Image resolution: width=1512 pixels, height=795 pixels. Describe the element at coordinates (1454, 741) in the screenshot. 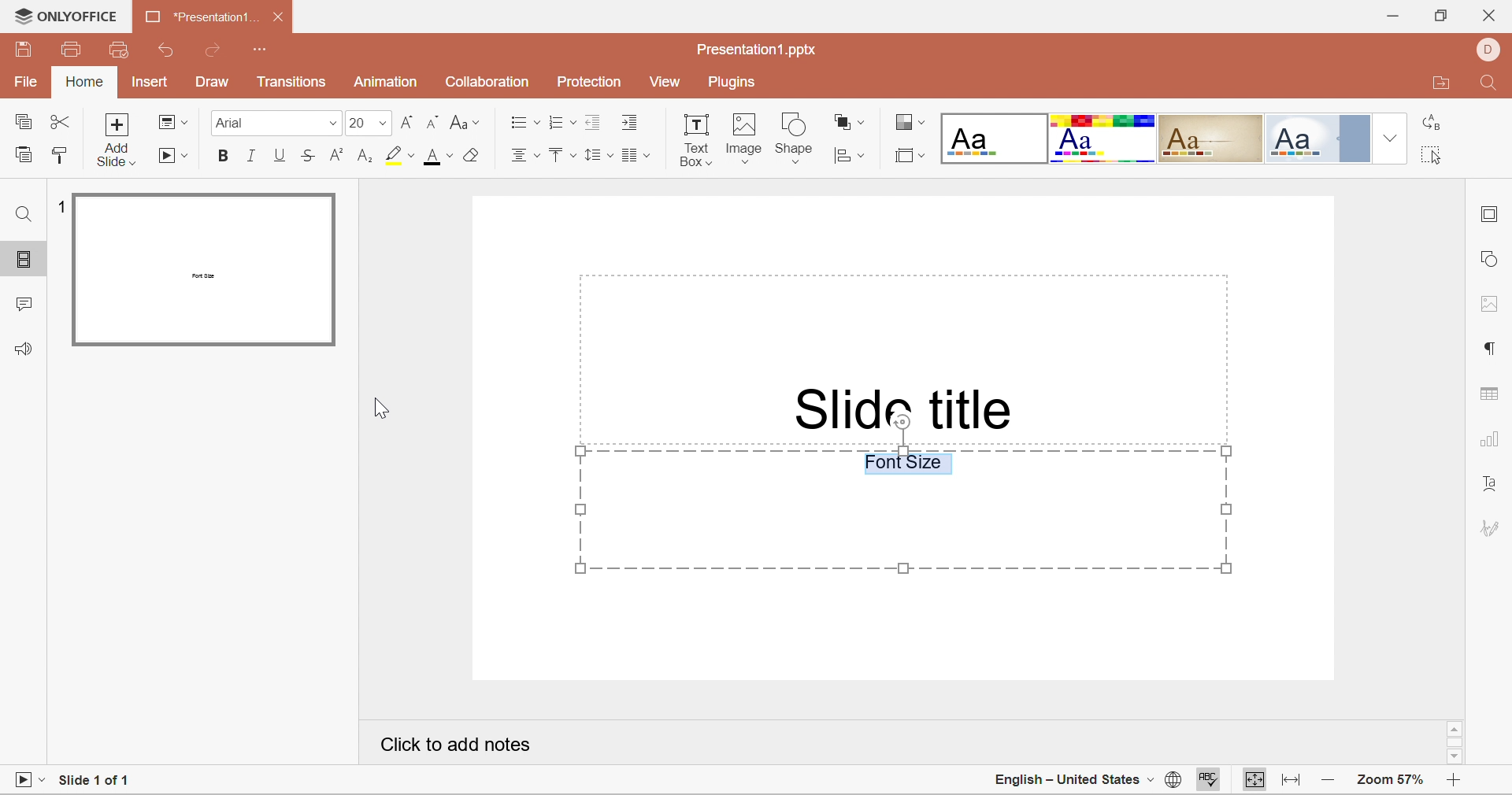

I see `Scroll Bar` at that location.